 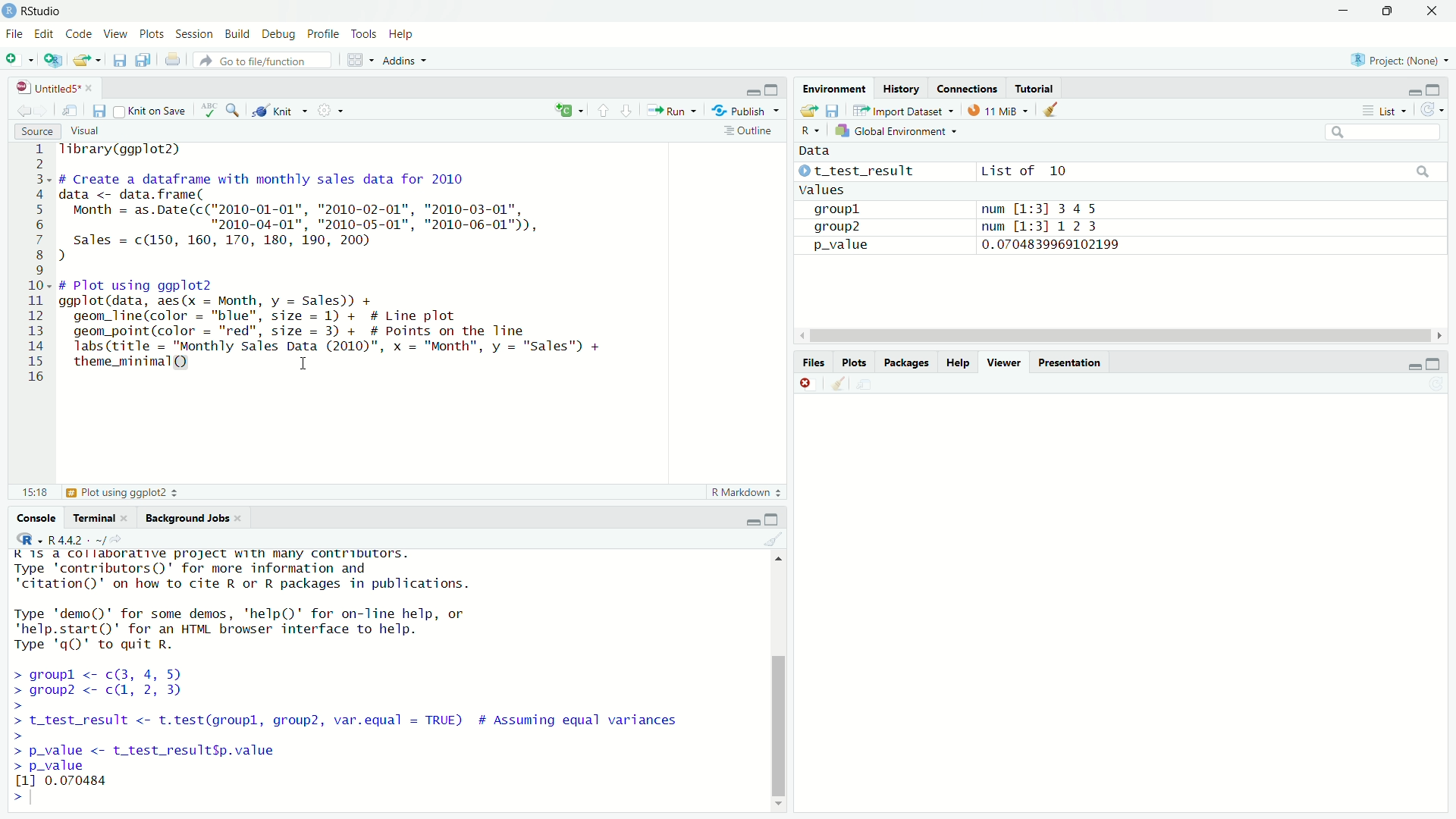 What do you see at coordinates (1434, 89) in the screenshot?
I see `maximise` at bounding box center [1434, 89].